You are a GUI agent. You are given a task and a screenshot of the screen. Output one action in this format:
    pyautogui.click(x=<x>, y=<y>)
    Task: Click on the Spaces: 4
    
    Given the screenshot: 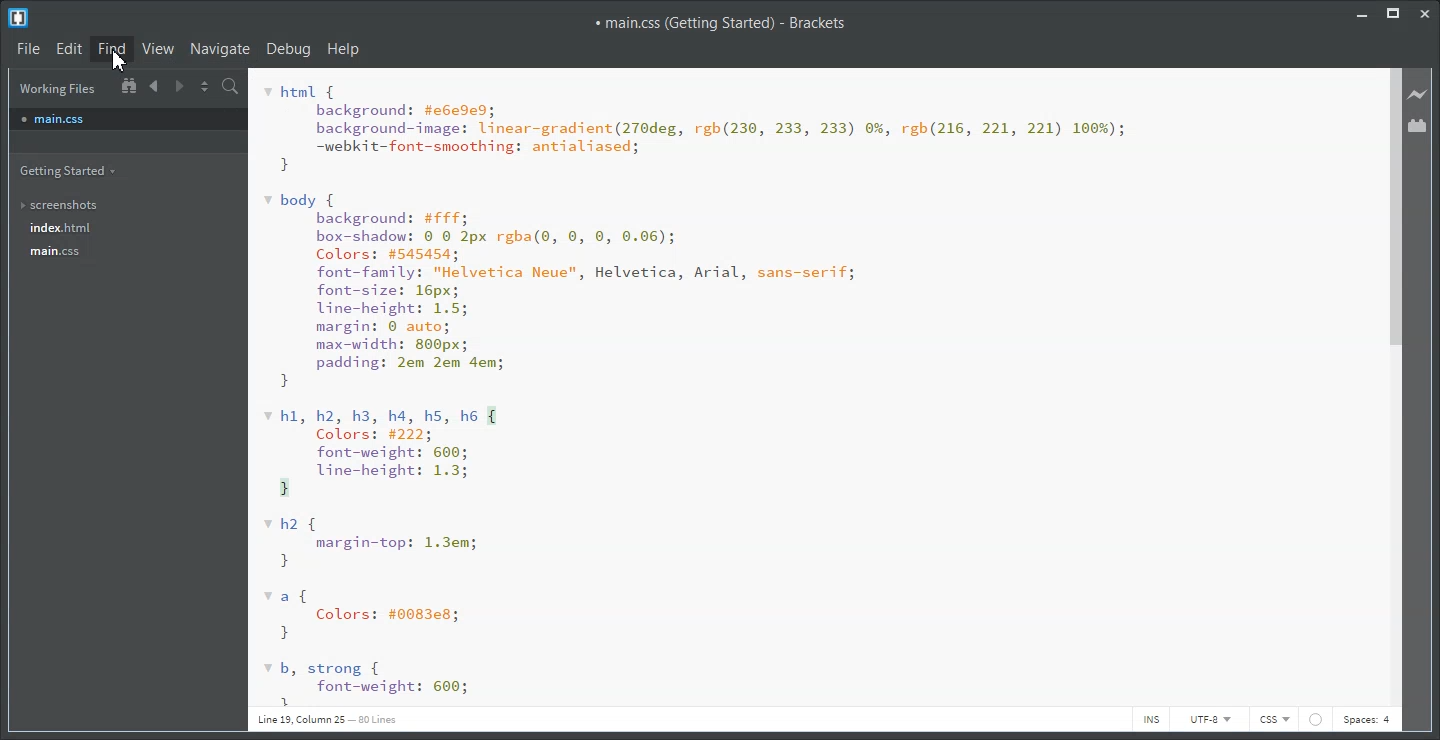 What is the action you would take?
    pyautogui.click(x=1367, y=721)
    